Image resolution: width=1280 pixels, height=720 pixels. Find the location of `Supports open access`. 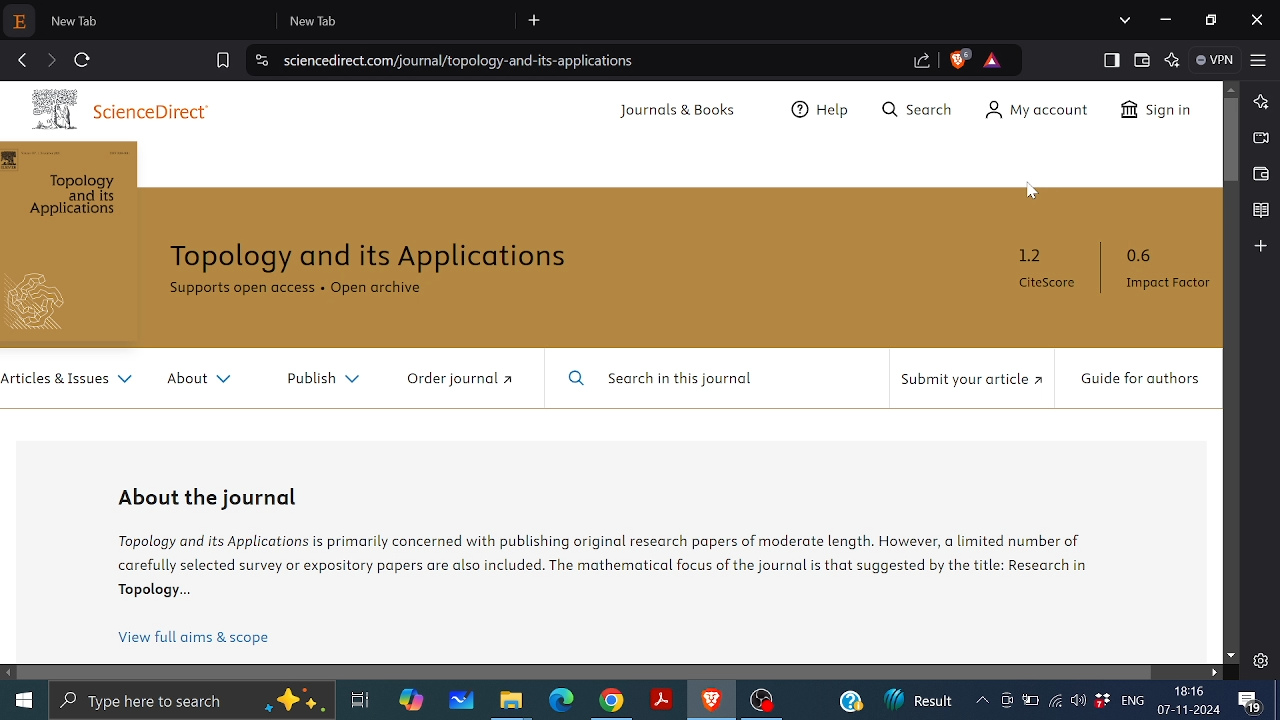

Supports open access is located at coordinates (241, 288).